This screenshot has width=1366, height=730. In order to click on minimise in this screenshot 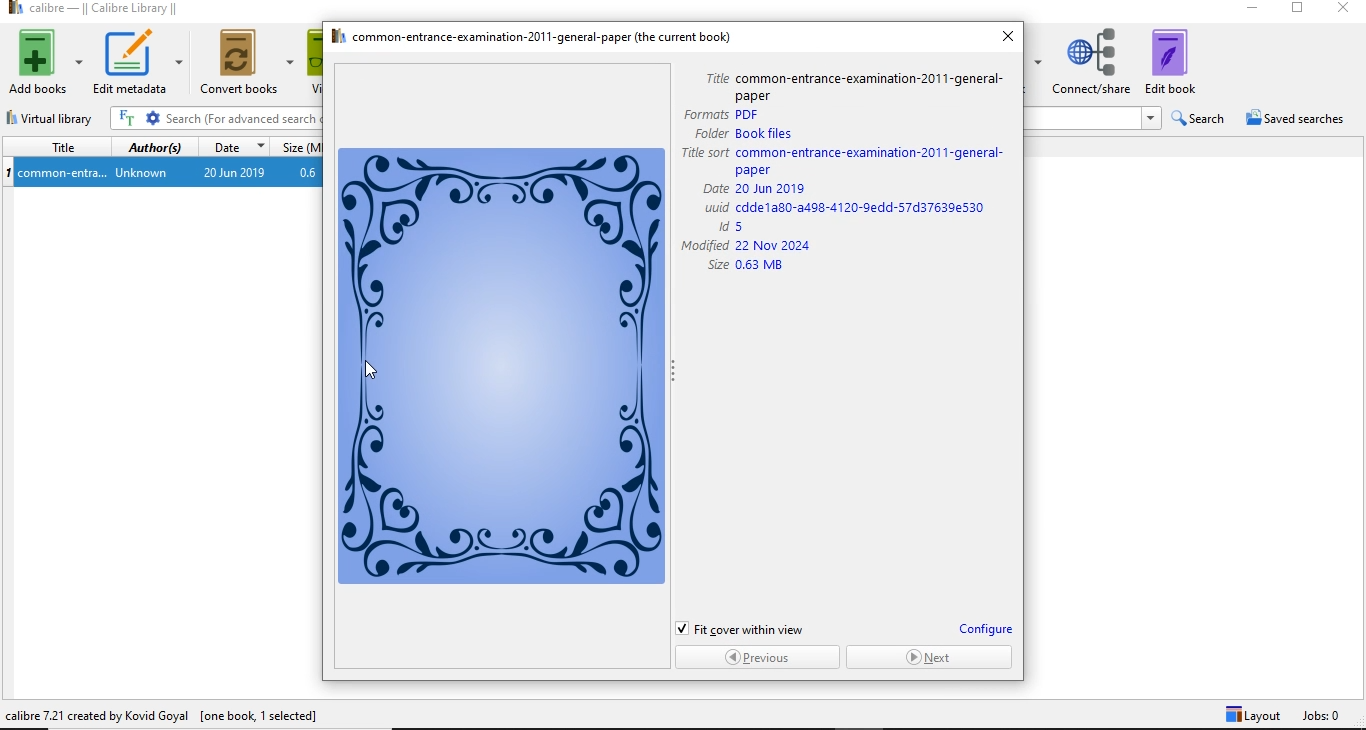, I will do `click(1258, 11)`.